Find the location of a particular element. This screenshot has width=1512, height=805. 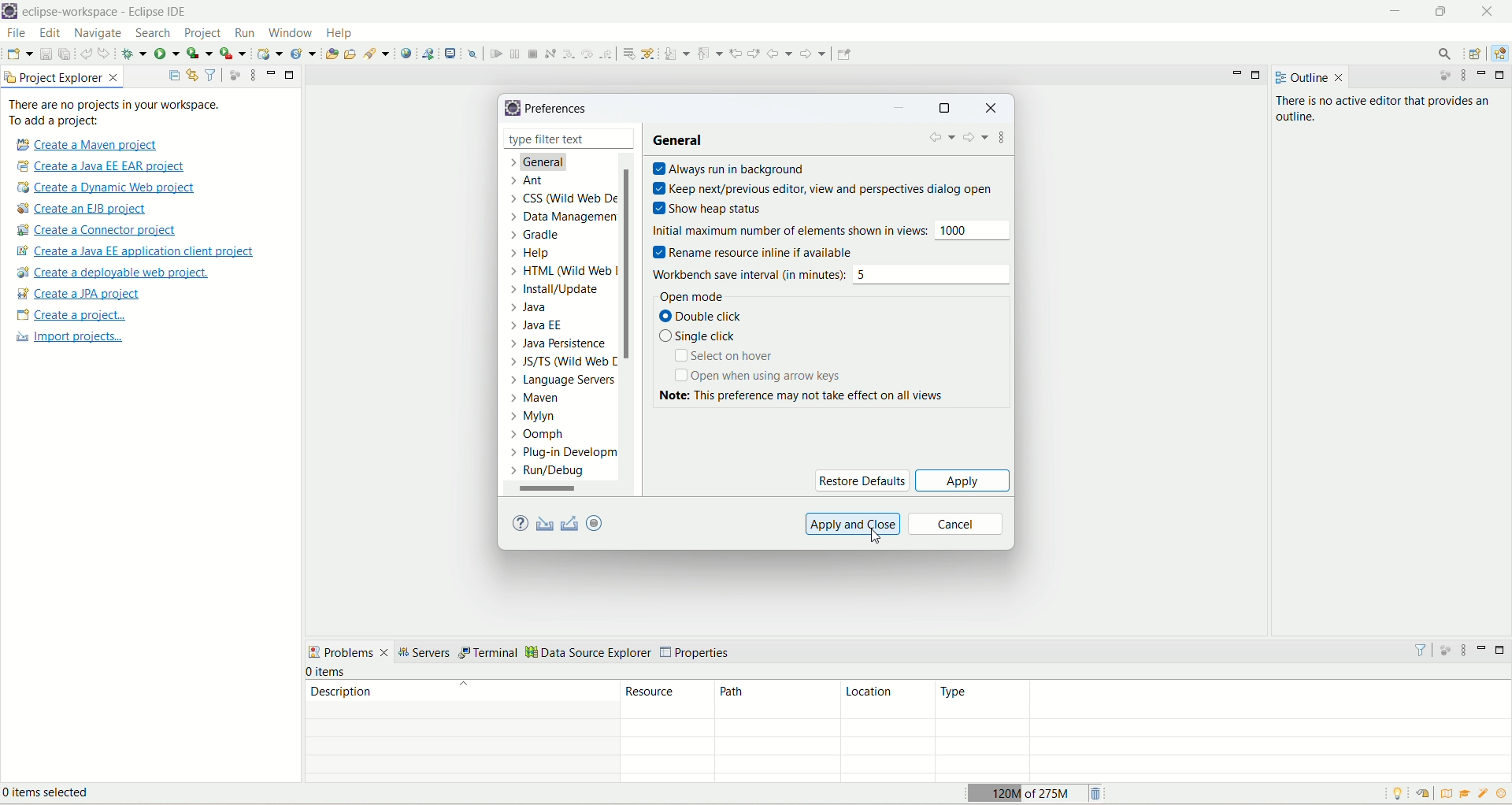

step return is located at coordinates (607, 54).